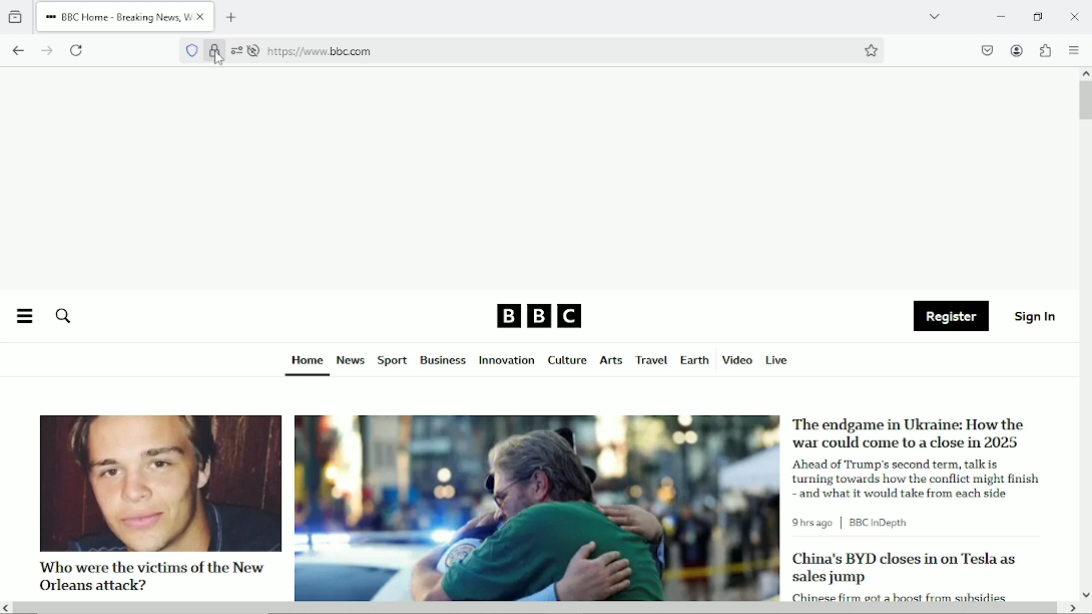 Image resolution: width=1092 pixels, height=614 pixels. Describe the element at coordinates (537, 609) in the screenshot. I see `Horizontal scrollbar` at that location.